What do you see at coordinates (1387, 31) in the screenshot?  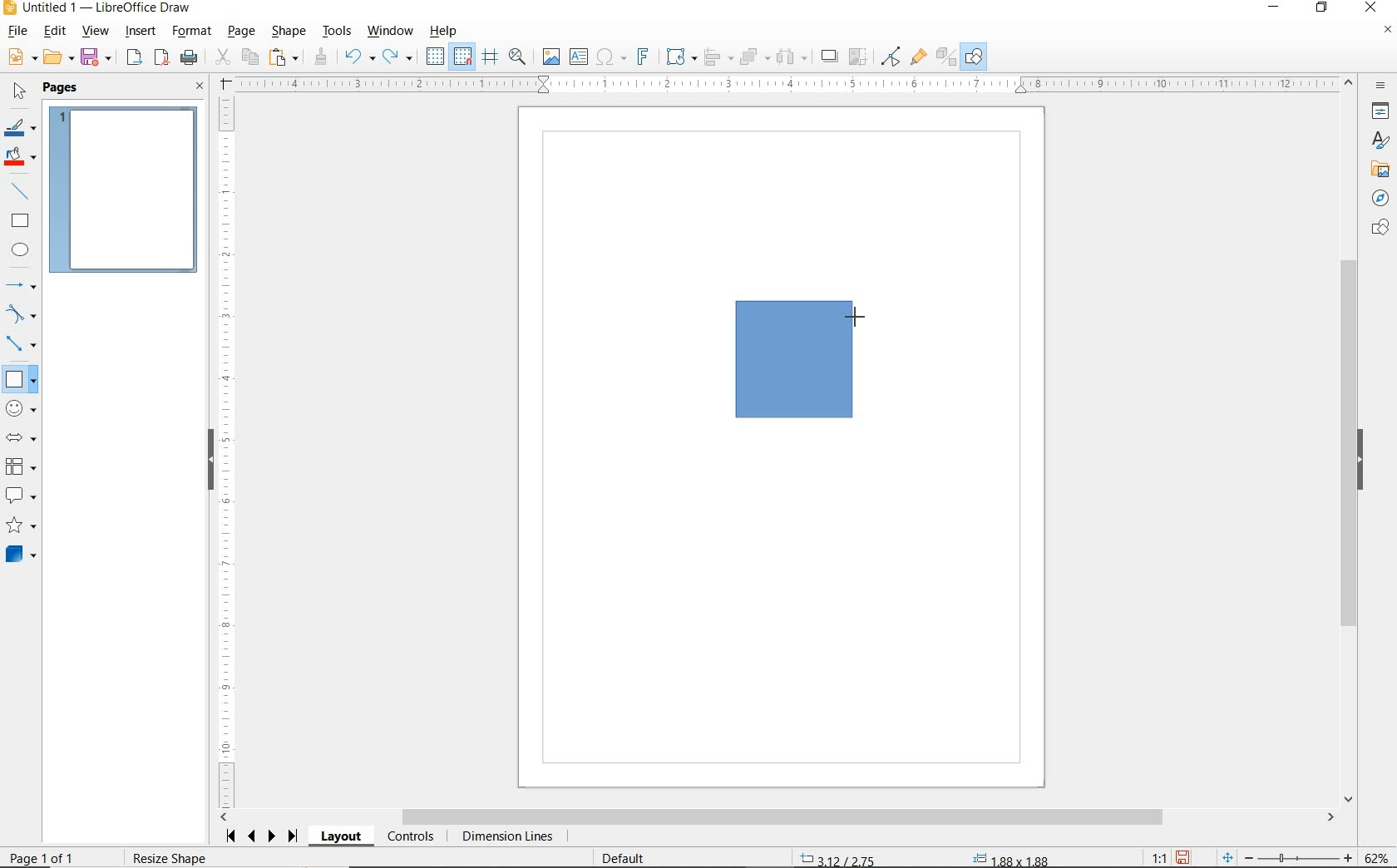 I see `CLOSE DOCUMENT` at bounding box center [1387, 31].